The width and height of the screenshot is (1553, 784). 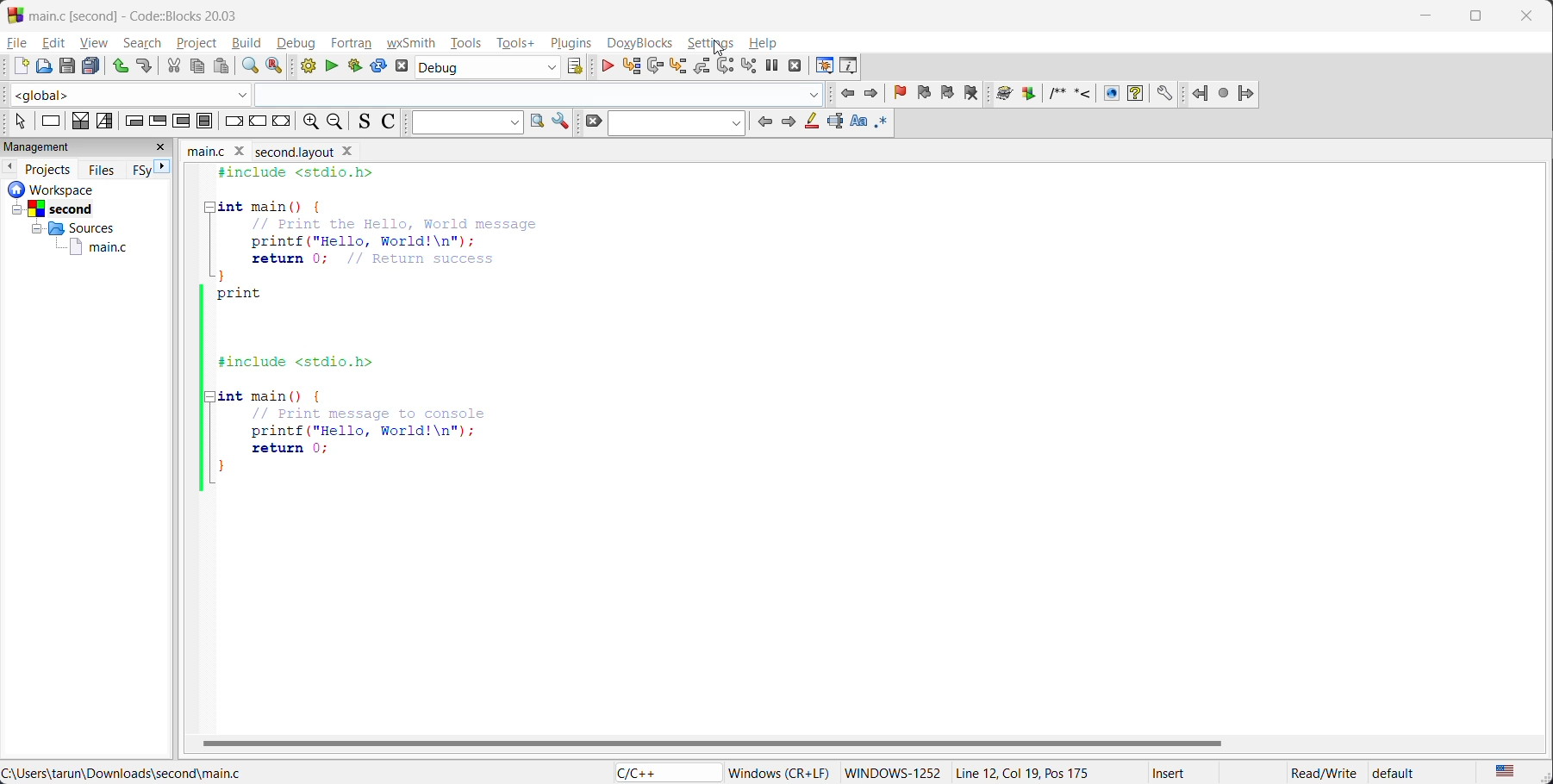 I want to click on select, so click(x=14, y=121).